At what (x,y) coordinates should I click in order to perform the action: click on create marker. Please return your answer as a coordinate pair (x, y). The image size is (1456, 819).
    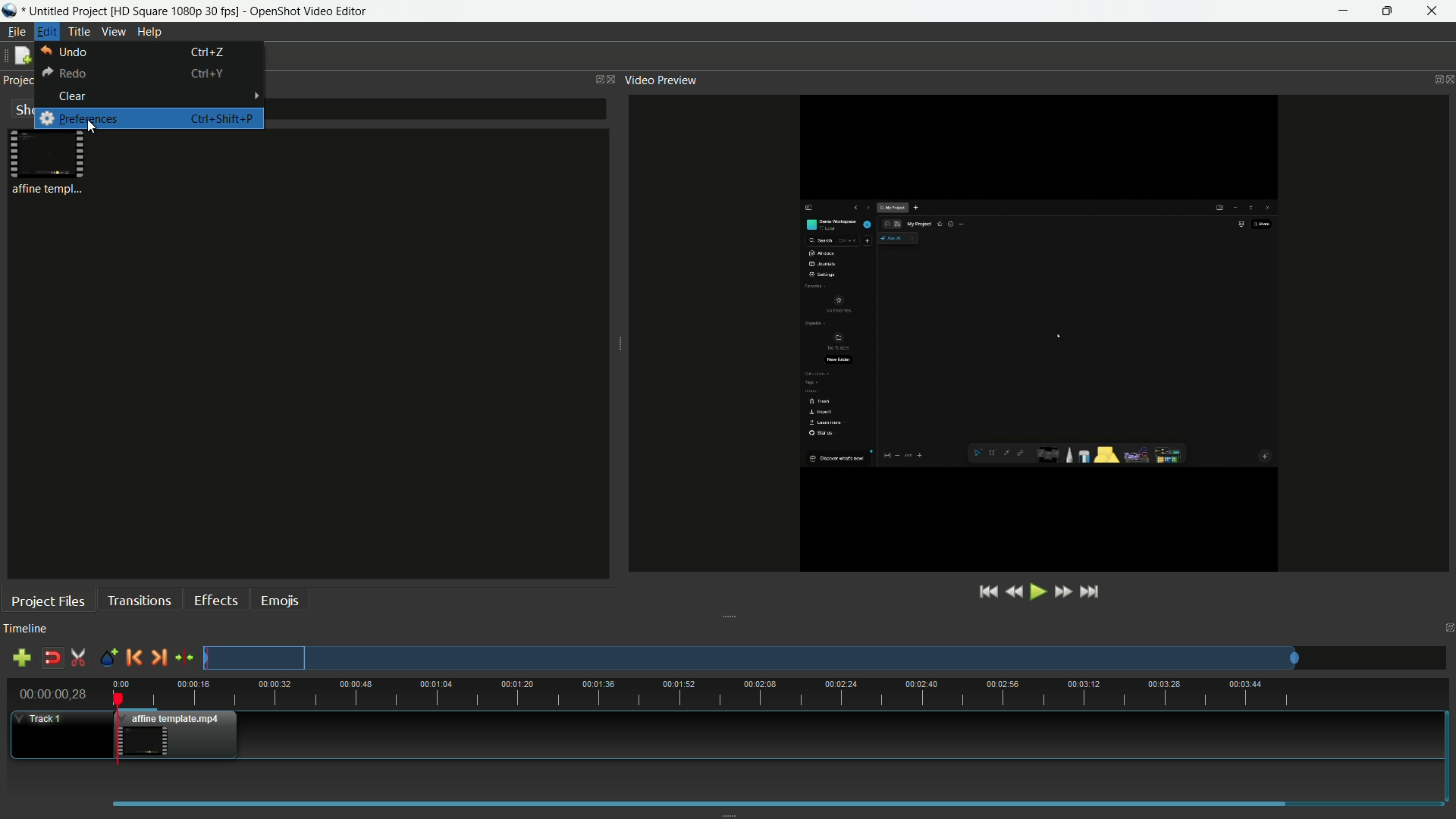
    Looking at the image, I should click on (105, 658).